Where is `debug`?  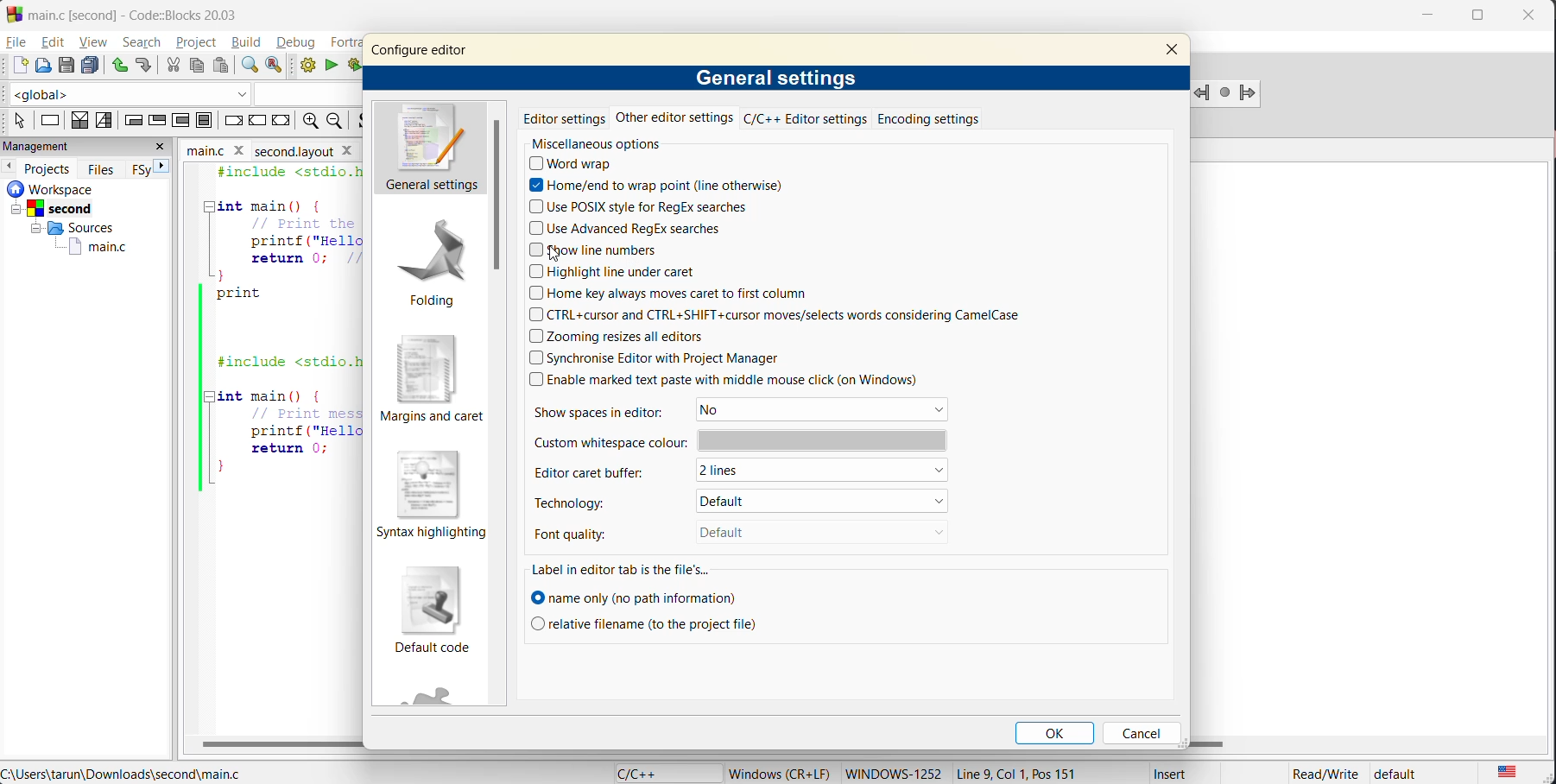
debug is located at coordinates (300, 43).